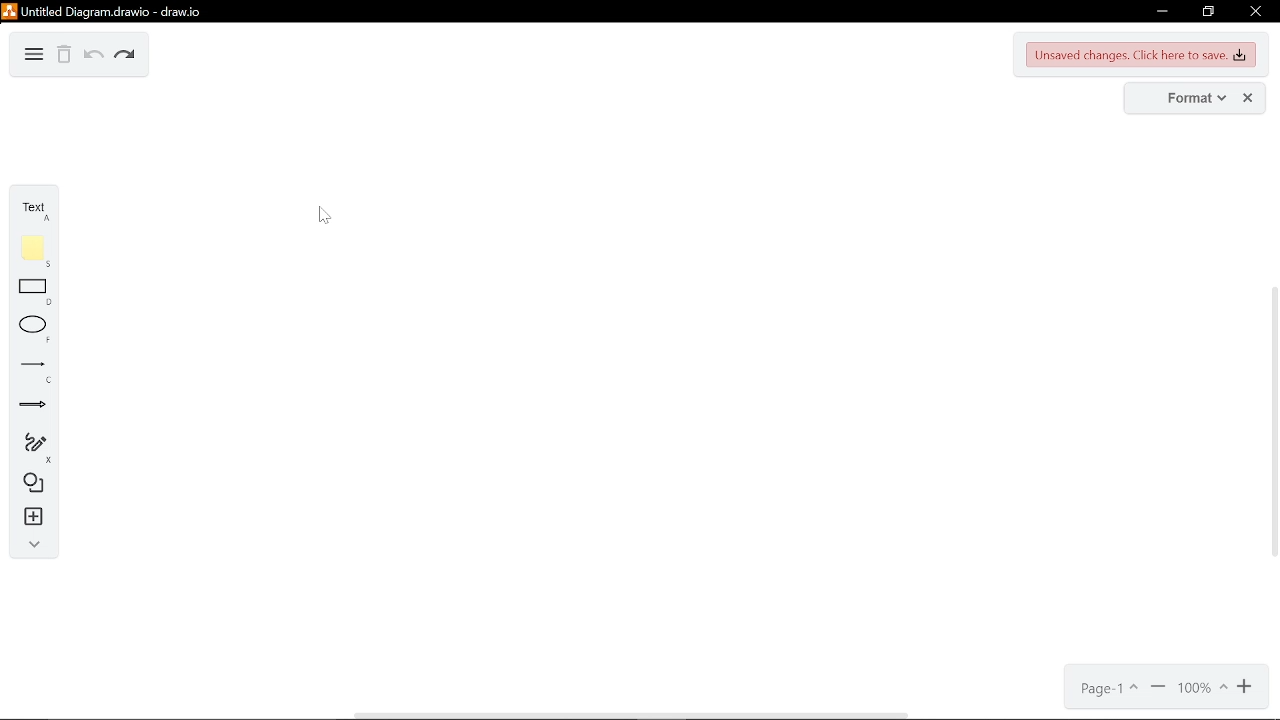  Describe the element at coordinates (1190, 99) in the screenshot. I see `format` at that location.